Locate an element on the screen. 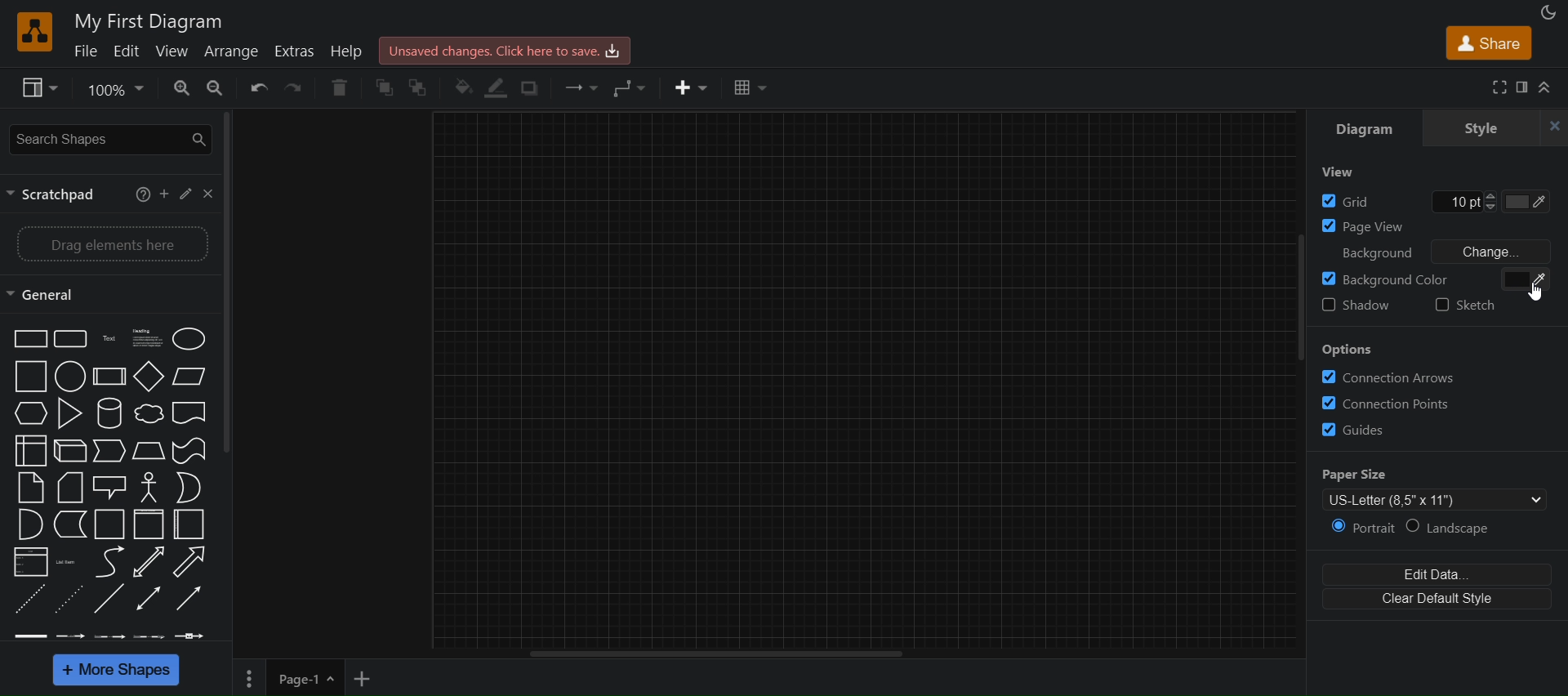  close is located at coordinates (1553, 127).